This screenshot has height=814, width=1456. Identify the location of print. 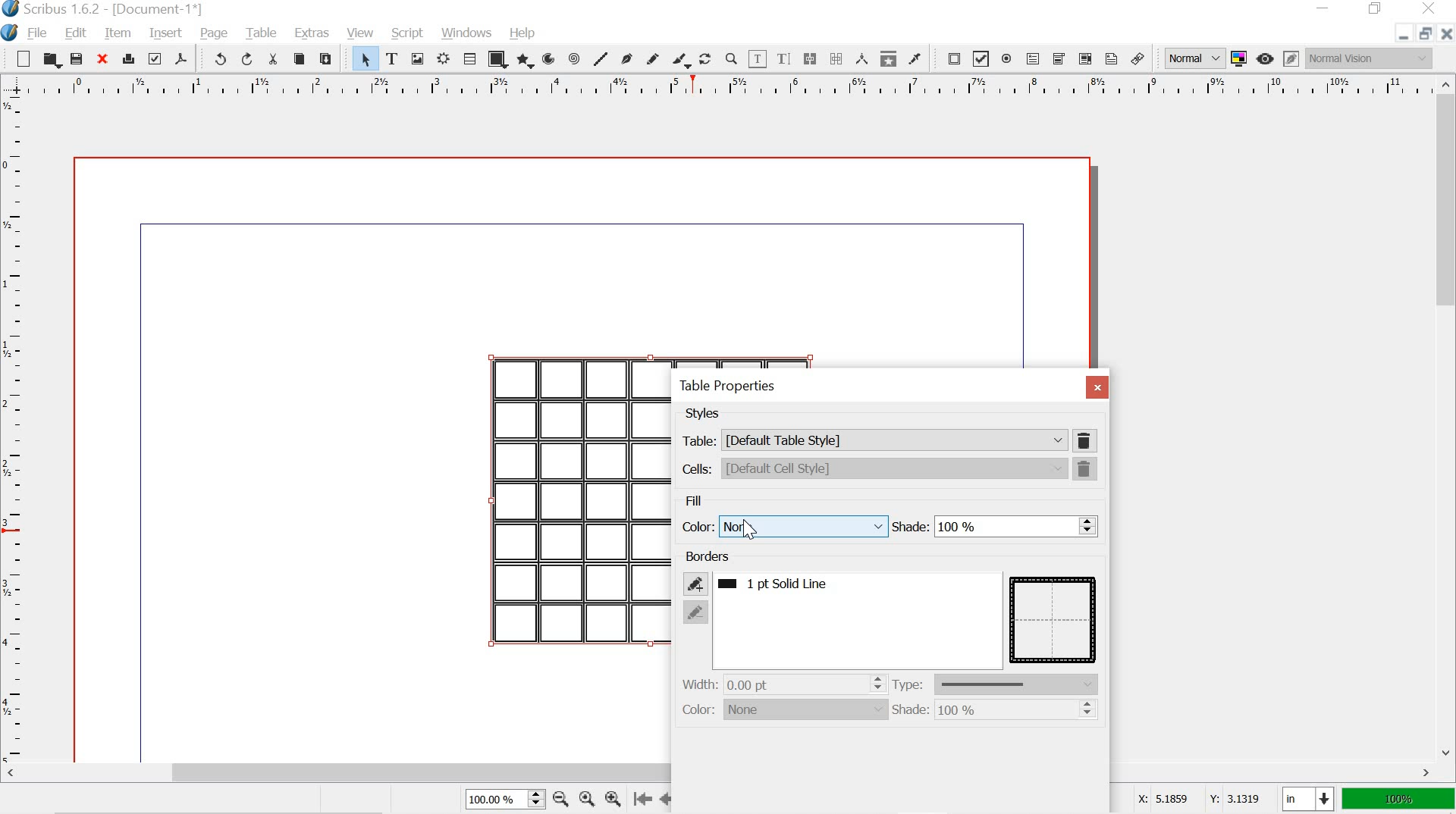
(129, 60).